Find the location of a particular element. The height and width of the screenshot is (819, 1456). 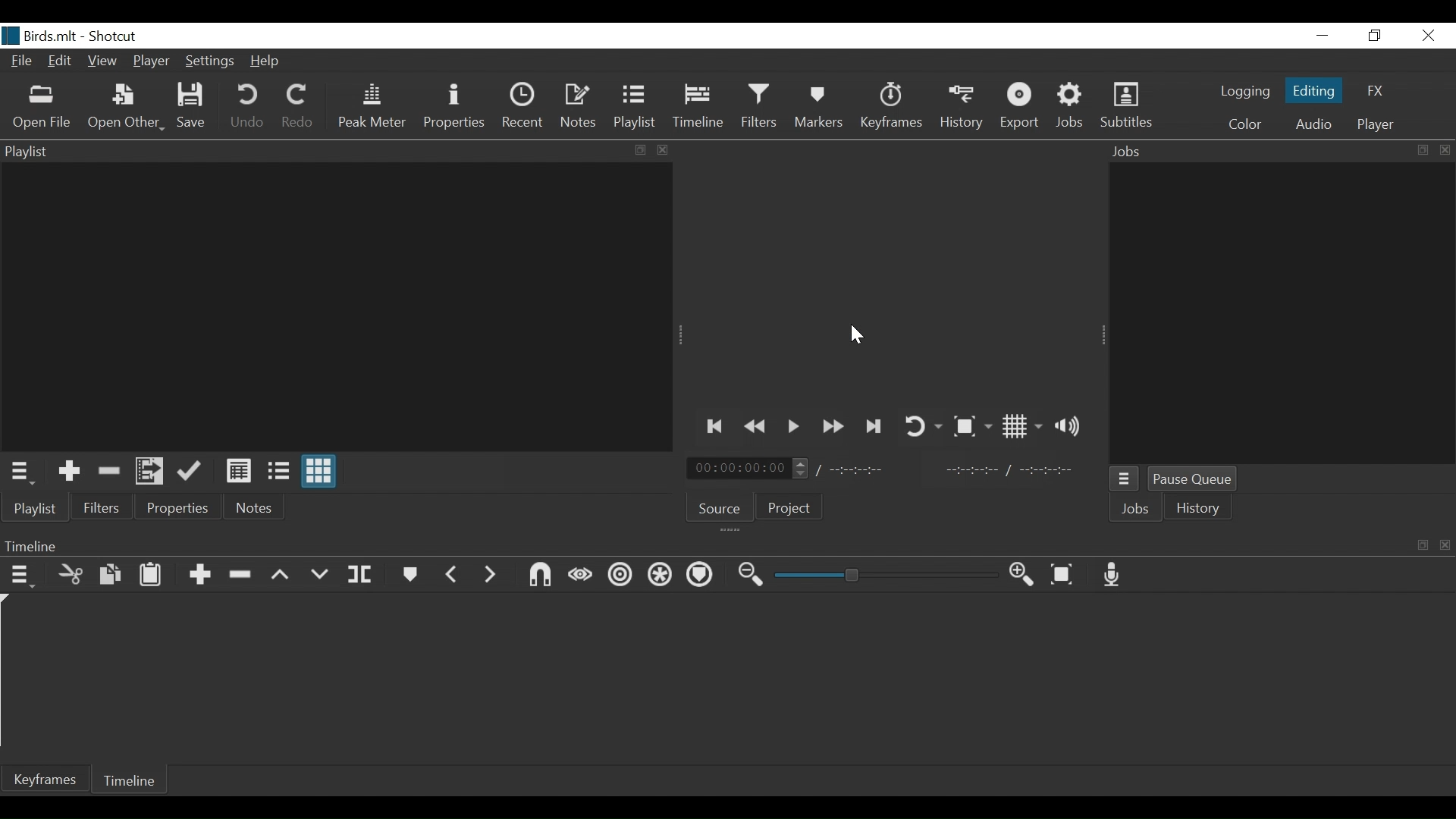

Timeline Panel is located at coordinates (727, 546).